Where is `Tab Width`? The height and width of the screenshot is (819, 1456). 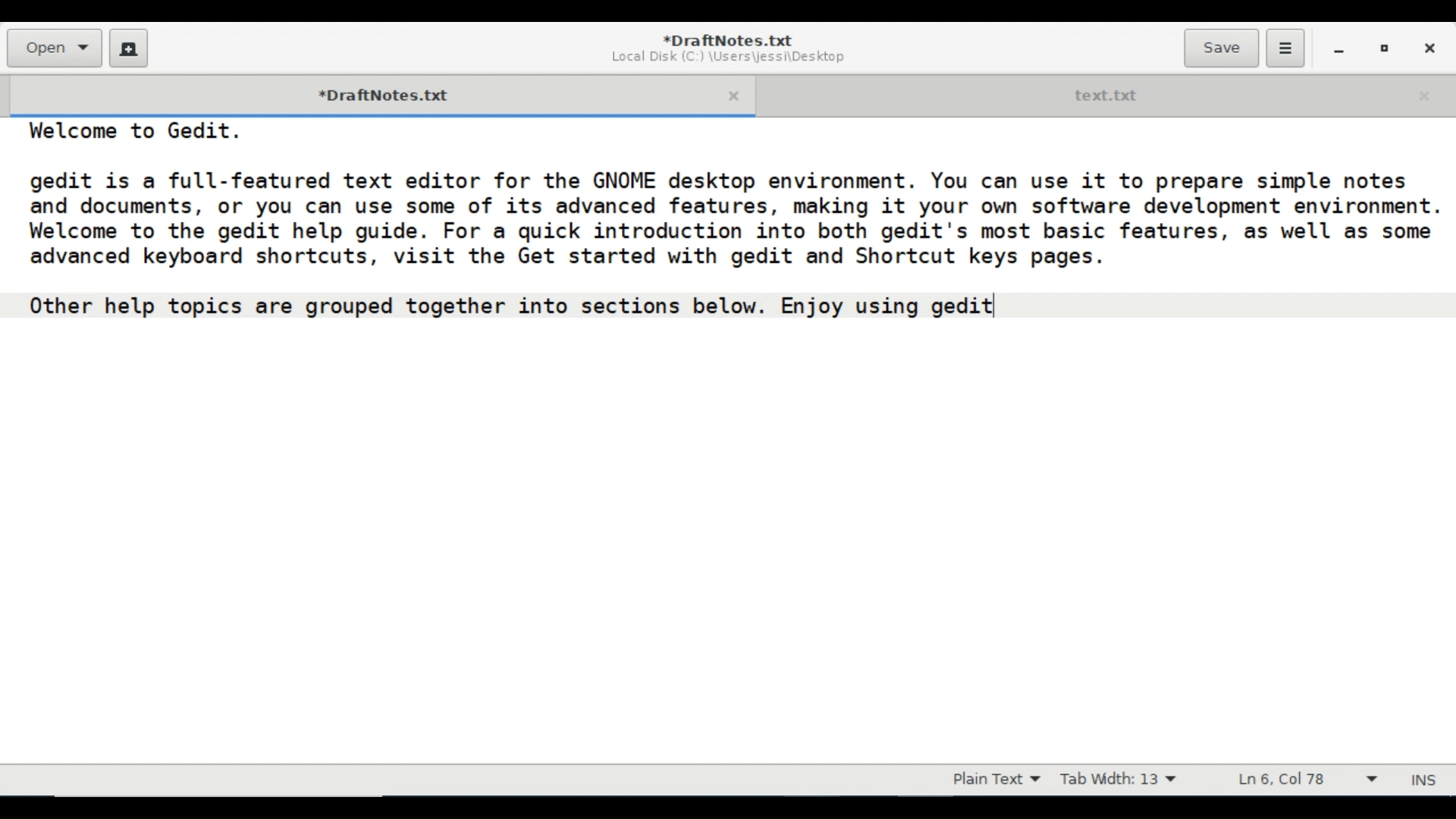 Tab Width is located at coordinates (1118, 780).